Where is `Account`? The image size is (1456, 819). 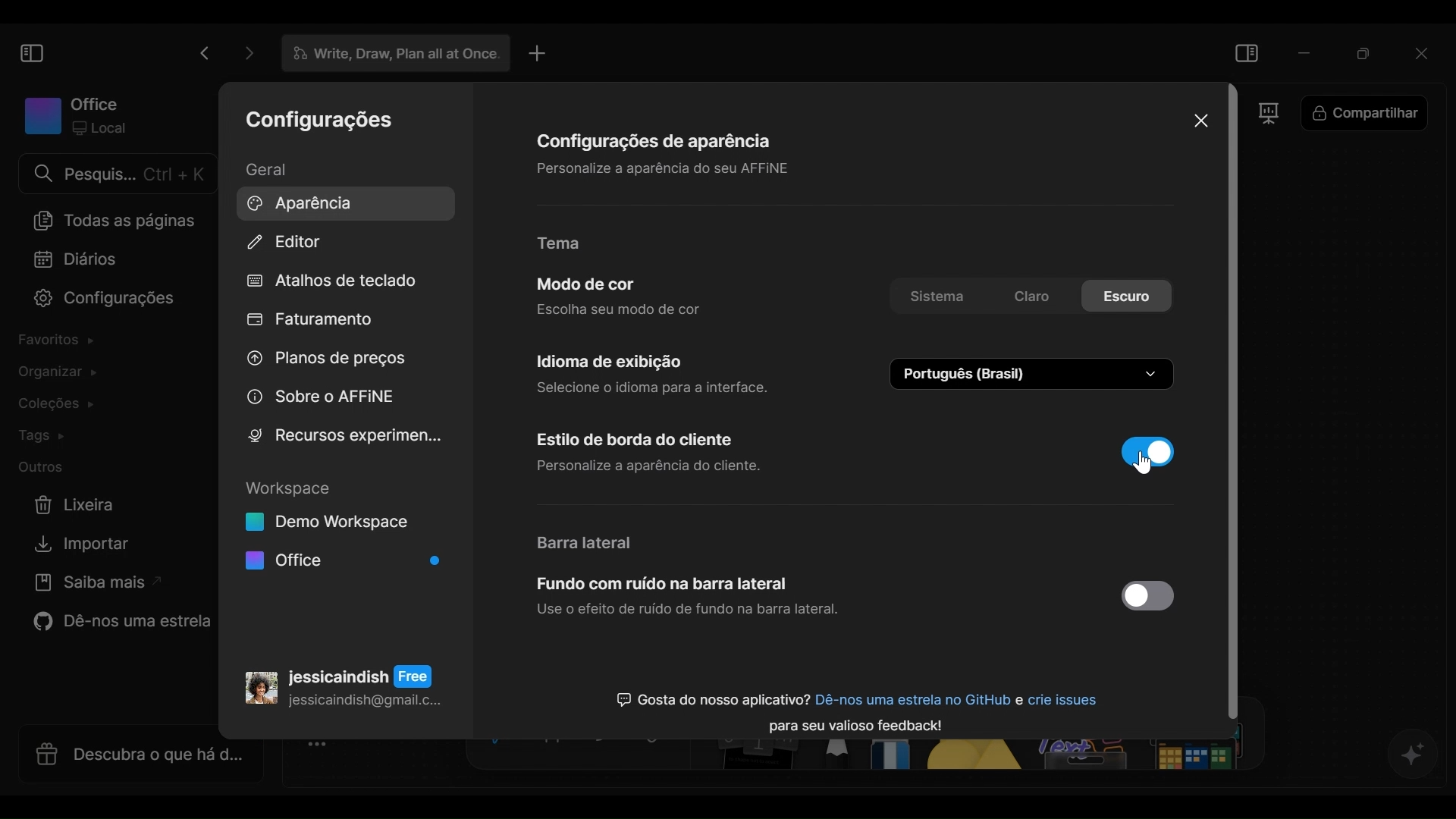
Account is located at coordinates (344, 682).